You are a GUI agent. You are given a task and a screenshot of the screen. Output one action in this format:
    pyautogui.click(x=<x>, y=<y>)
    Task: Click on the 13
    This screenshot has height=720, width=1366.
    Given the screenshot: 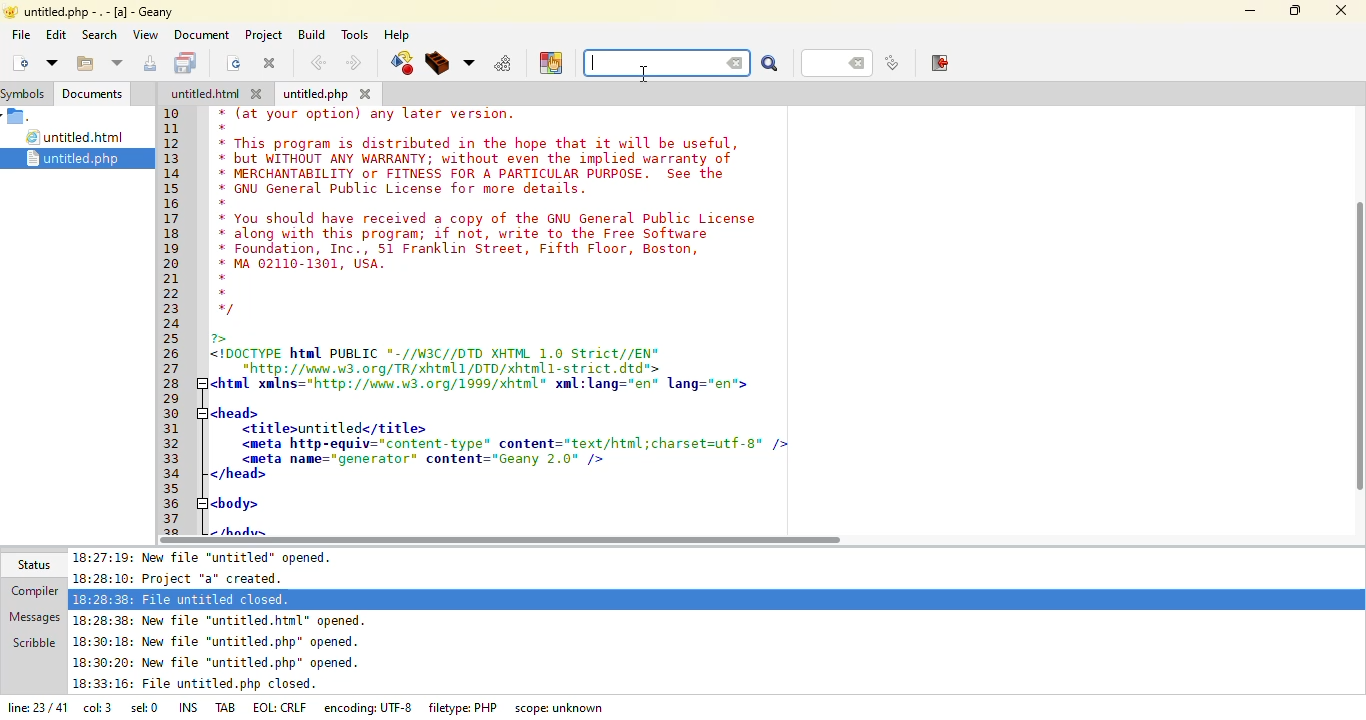 What is the action you would take?
    pyautogui.click(x=172, y=158)
    